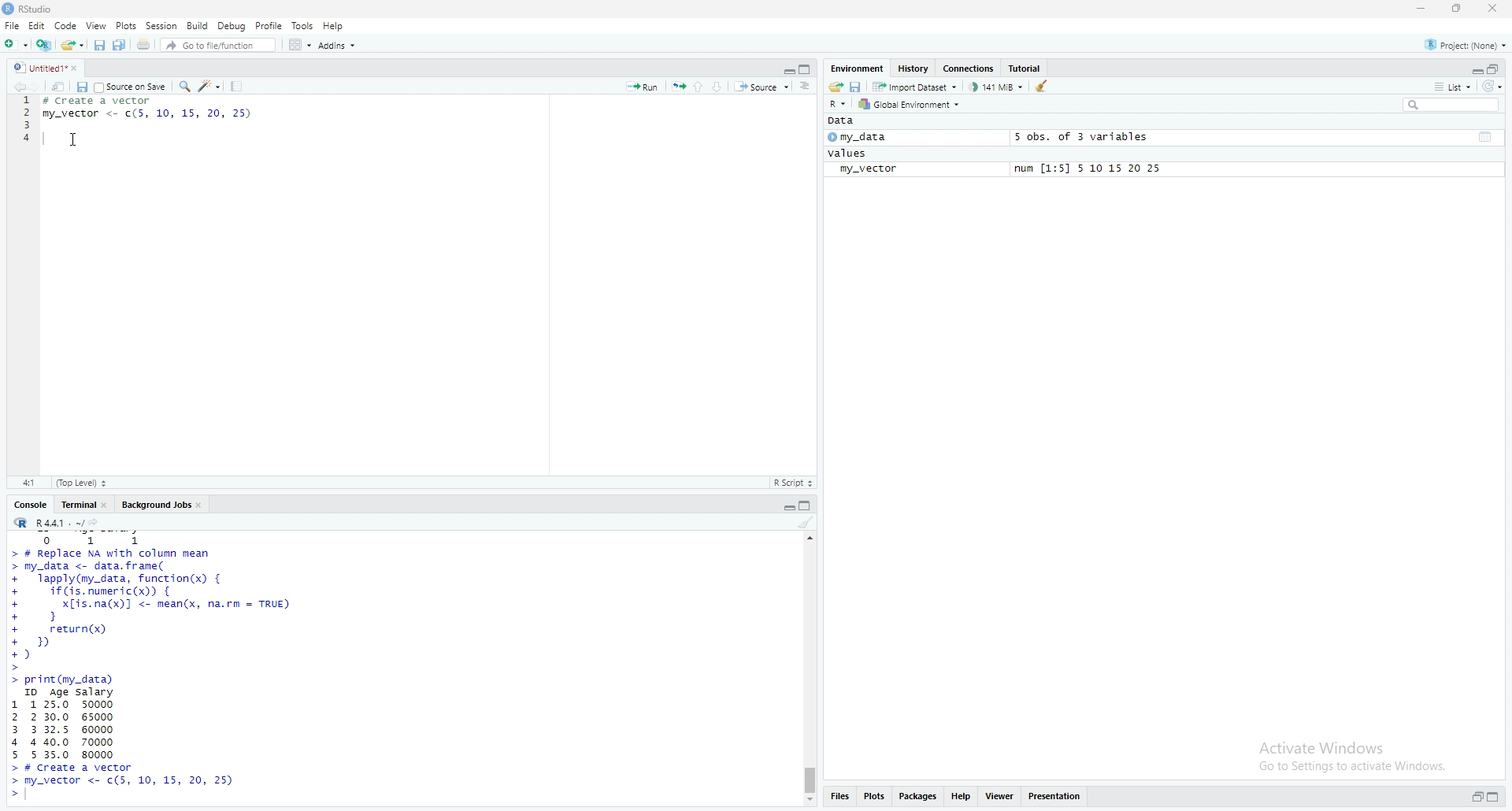 This screenshot has height=811, width=1512. I want to click on presentation, so click(1057, 795).